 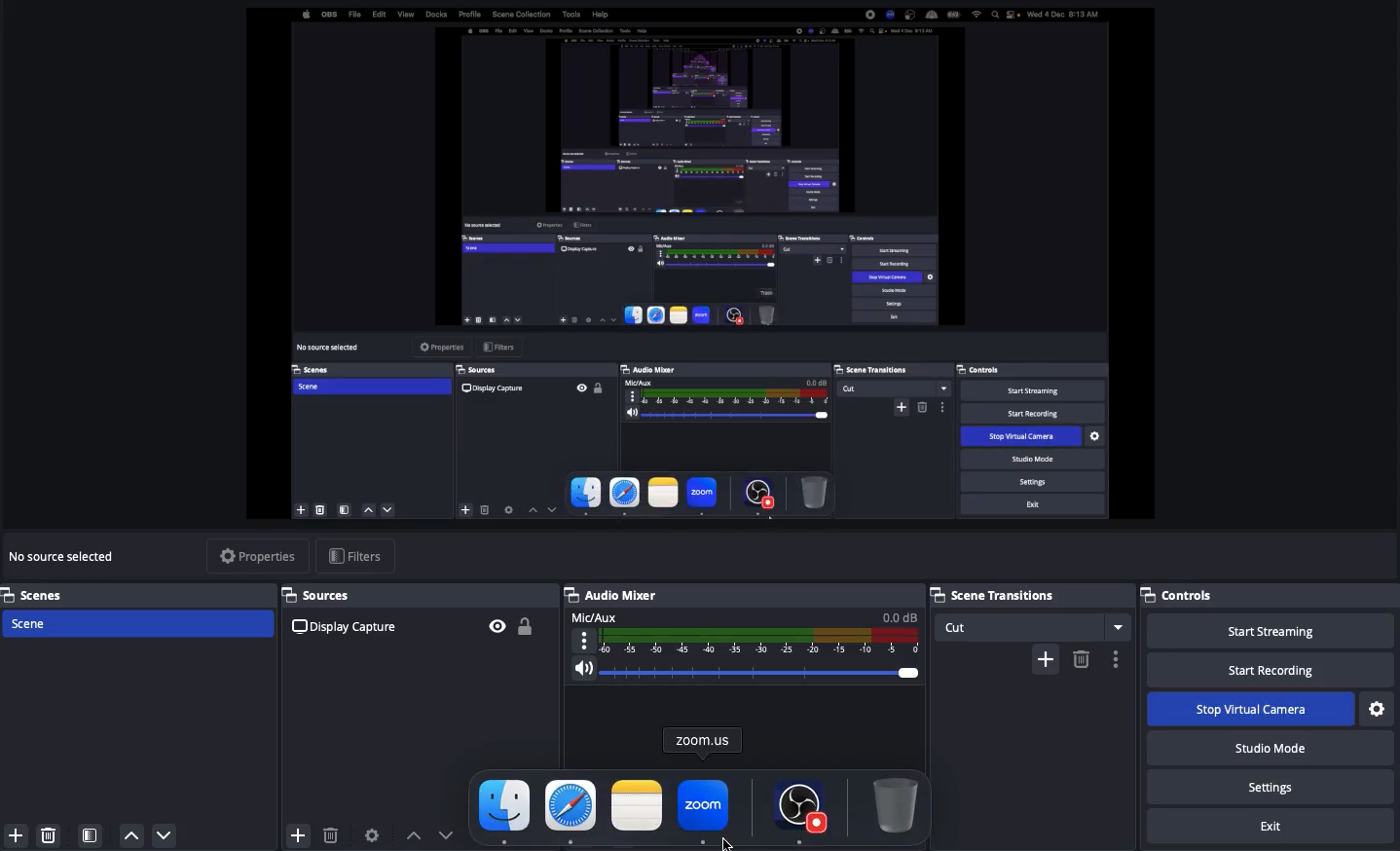 I want to click on Start streaming, so click(x=1274, y=632).